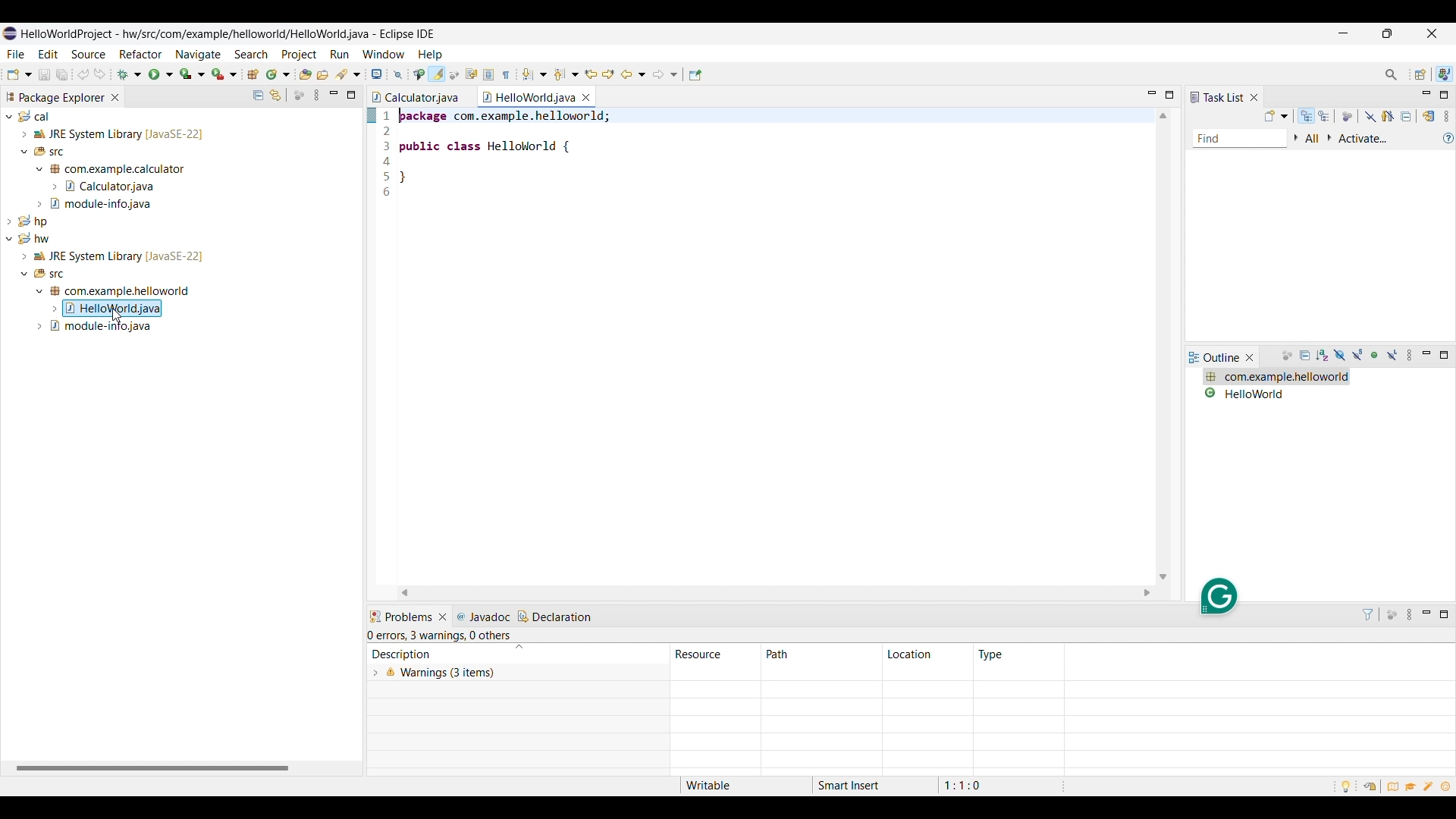 Image resolution: width=1456 pixels, height=819 pixels. What do you see at coordinates (1392, 356) in the screenshot?
I see `Hide local types` at bounding box center [1392, 356].